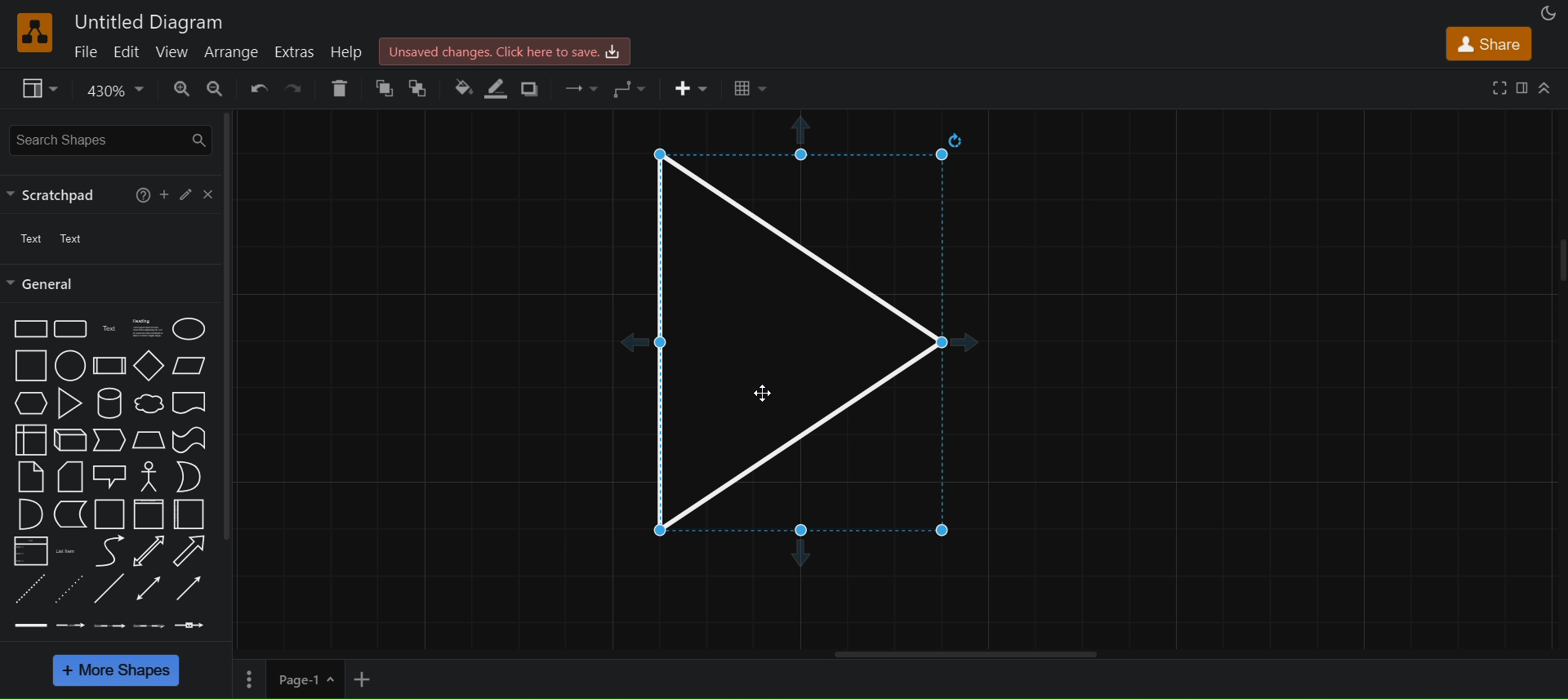 The image size is (1568, 699). What do you see at coordinates (296, 50) in the screenshot?
I see `extras` at bounding box center [296, 50].